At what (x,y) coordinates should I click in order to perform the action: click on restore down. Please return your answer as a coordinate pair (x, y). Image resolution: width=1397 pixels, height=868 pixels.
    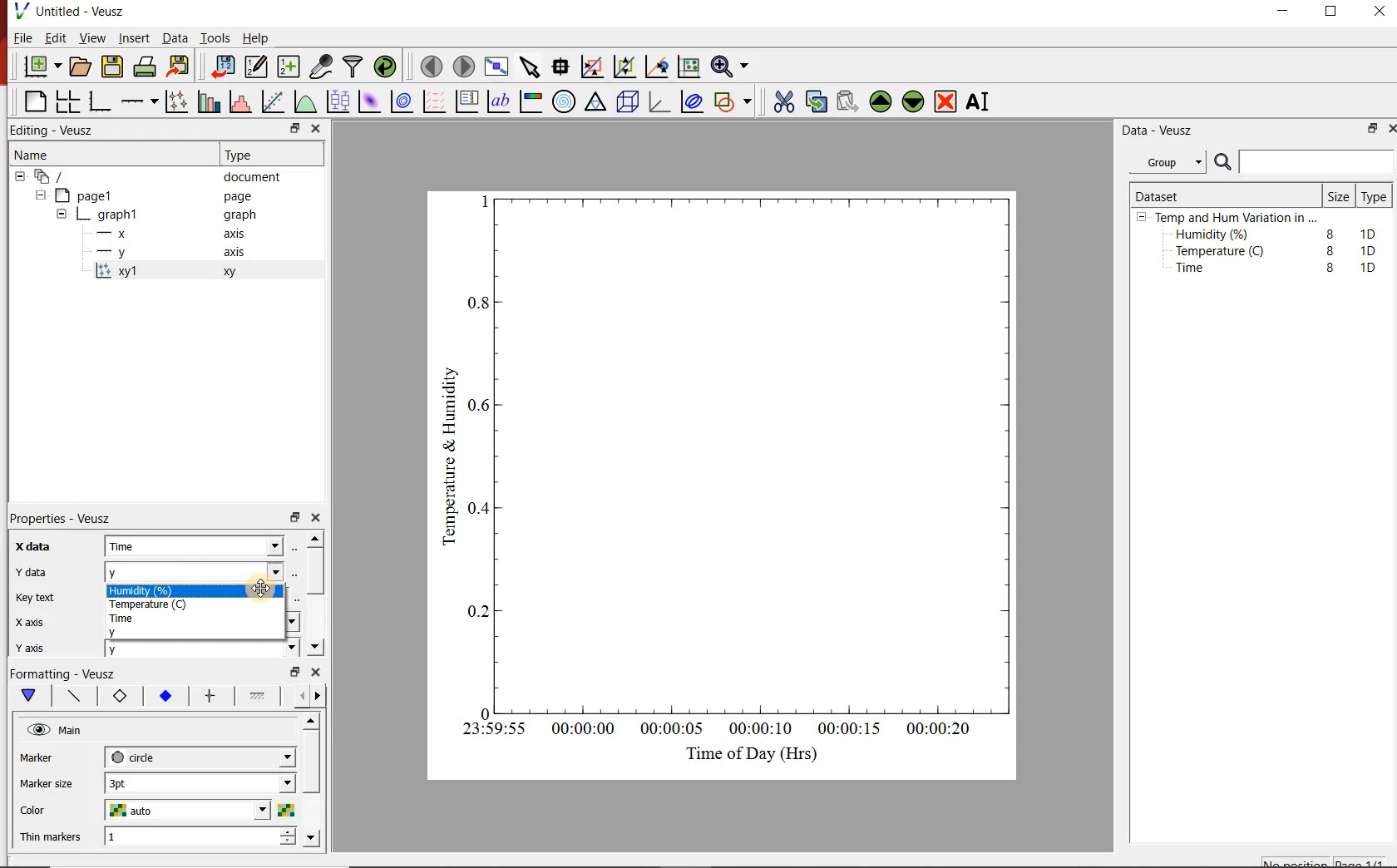
    Looking at the image, I should click on (1369, 131).